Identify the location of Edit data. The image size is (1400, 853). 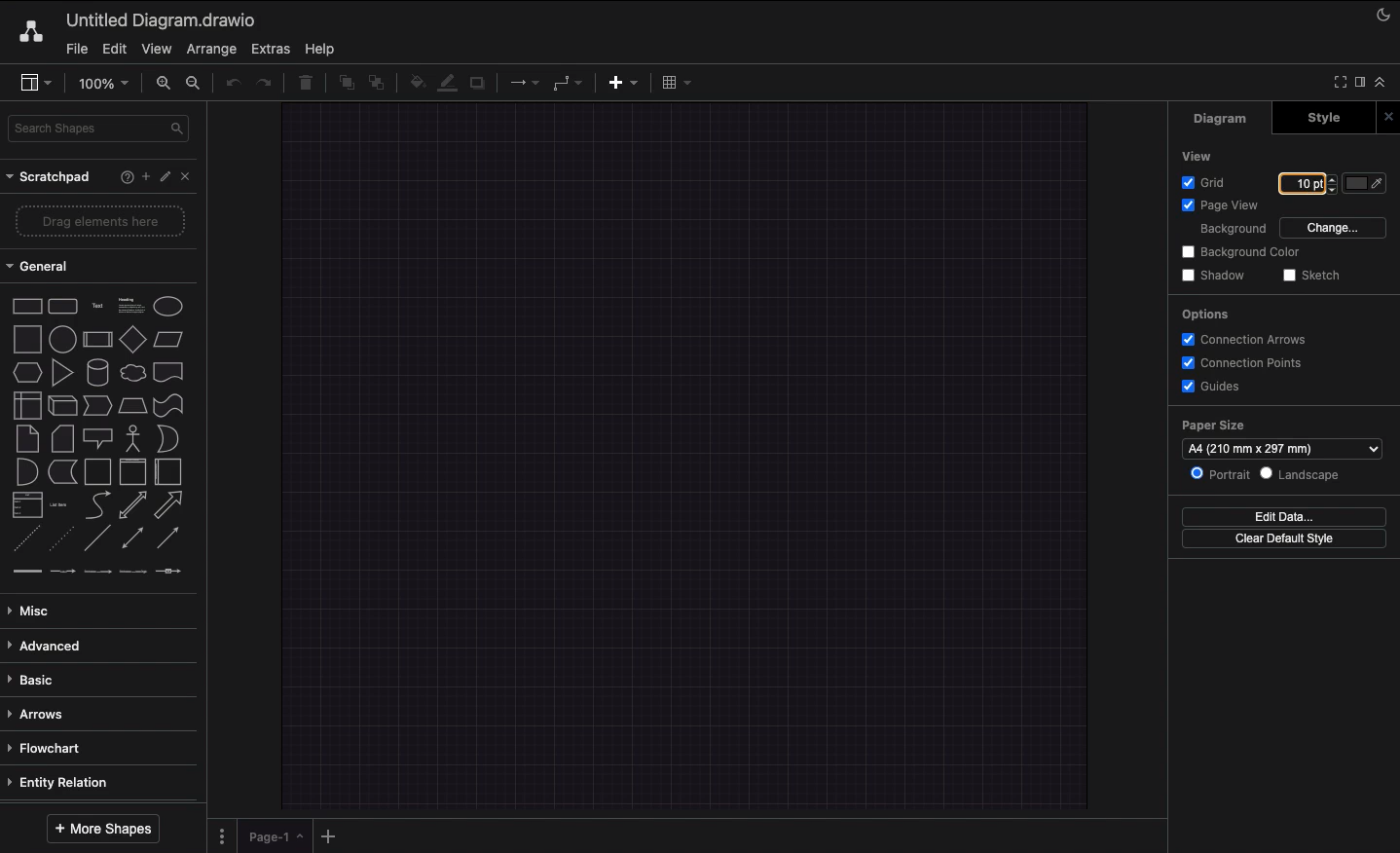
(1289, 516).